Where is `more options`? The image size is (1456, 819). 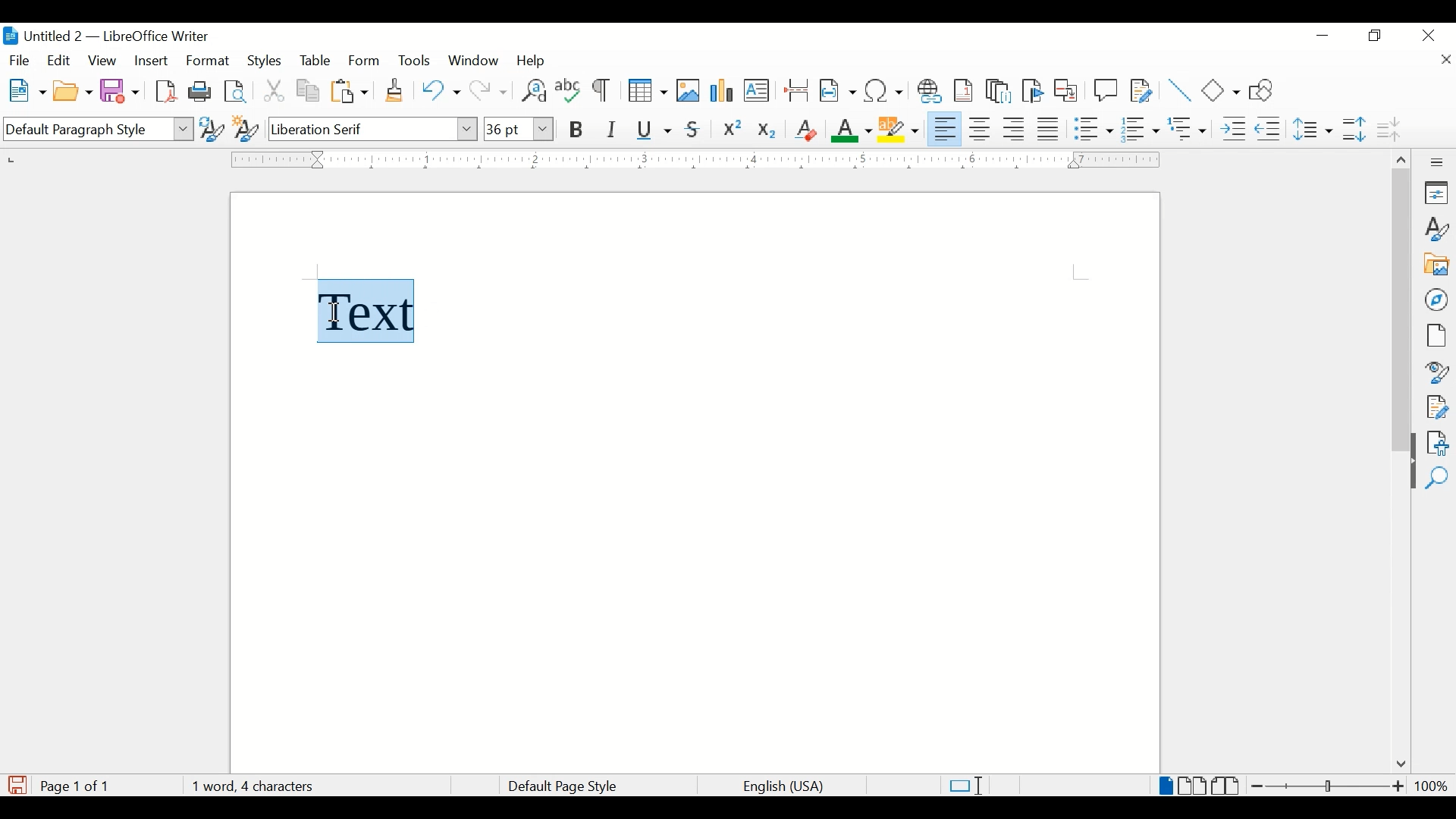
more options is located at coordinates (1439, 162).